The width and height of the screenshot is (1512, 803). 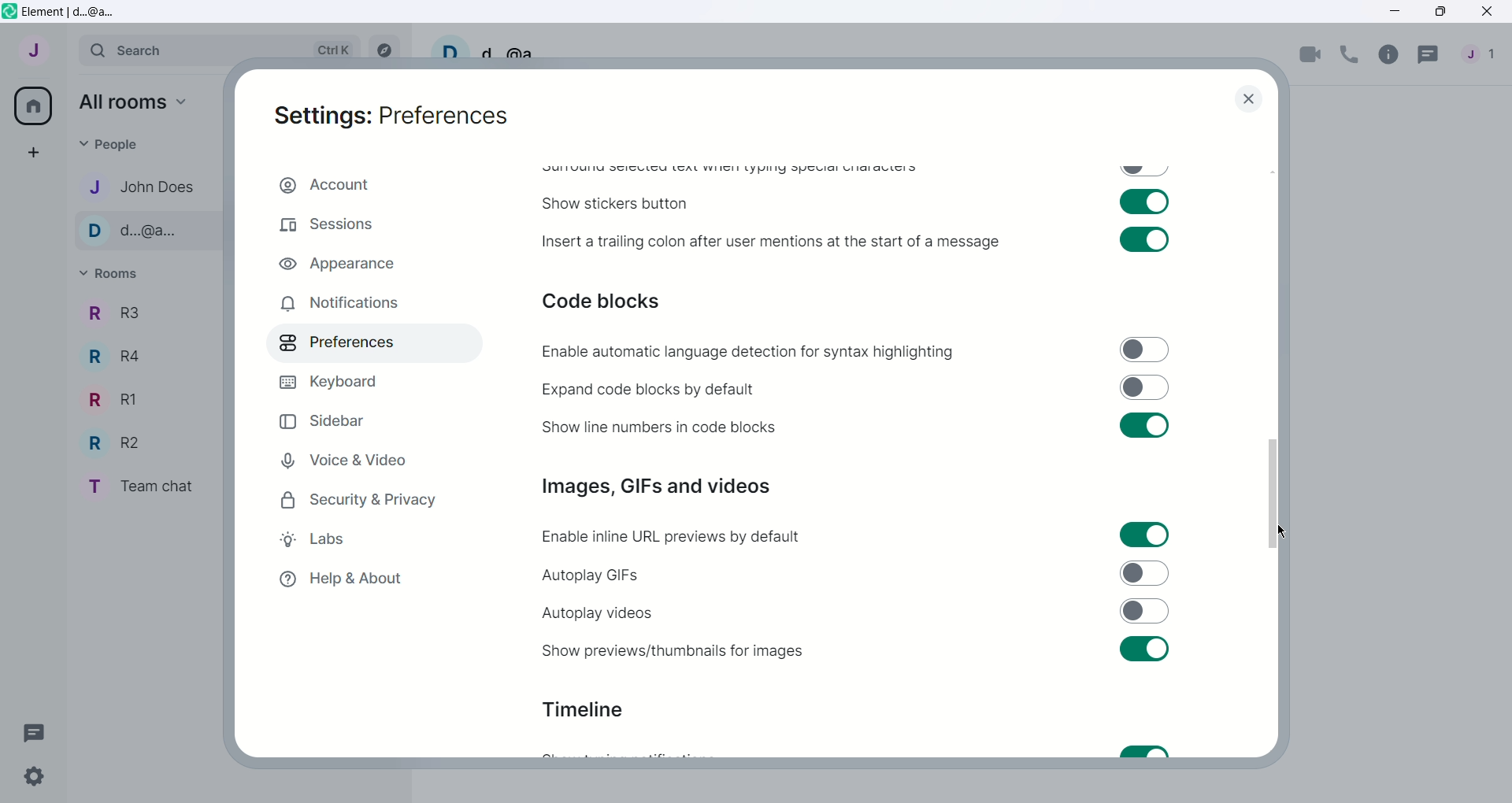 I want to click on Create a space, so click(x=31, y=150).